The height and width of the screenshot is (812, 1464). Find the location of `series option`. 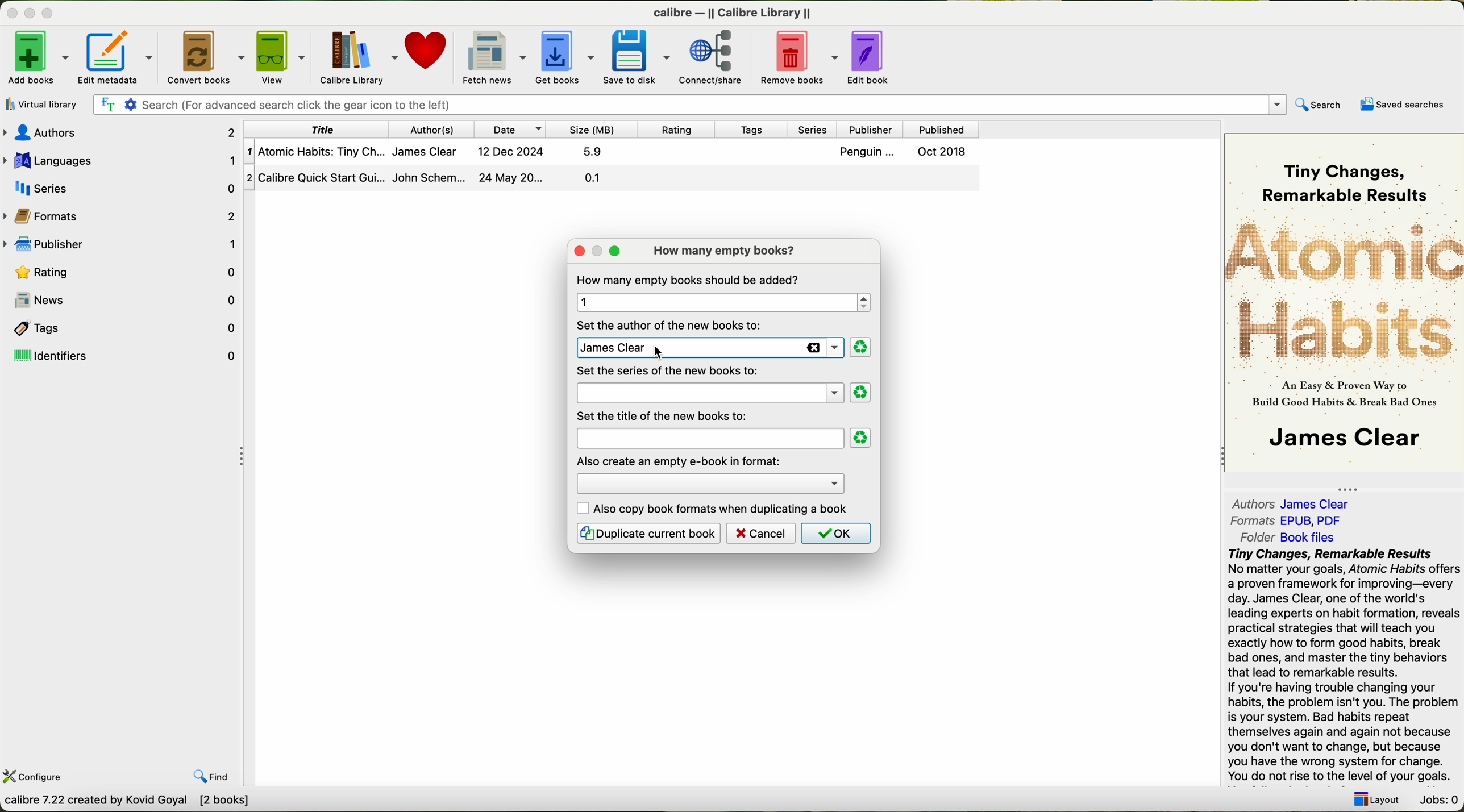

series option is located at coordinates (709, 393).